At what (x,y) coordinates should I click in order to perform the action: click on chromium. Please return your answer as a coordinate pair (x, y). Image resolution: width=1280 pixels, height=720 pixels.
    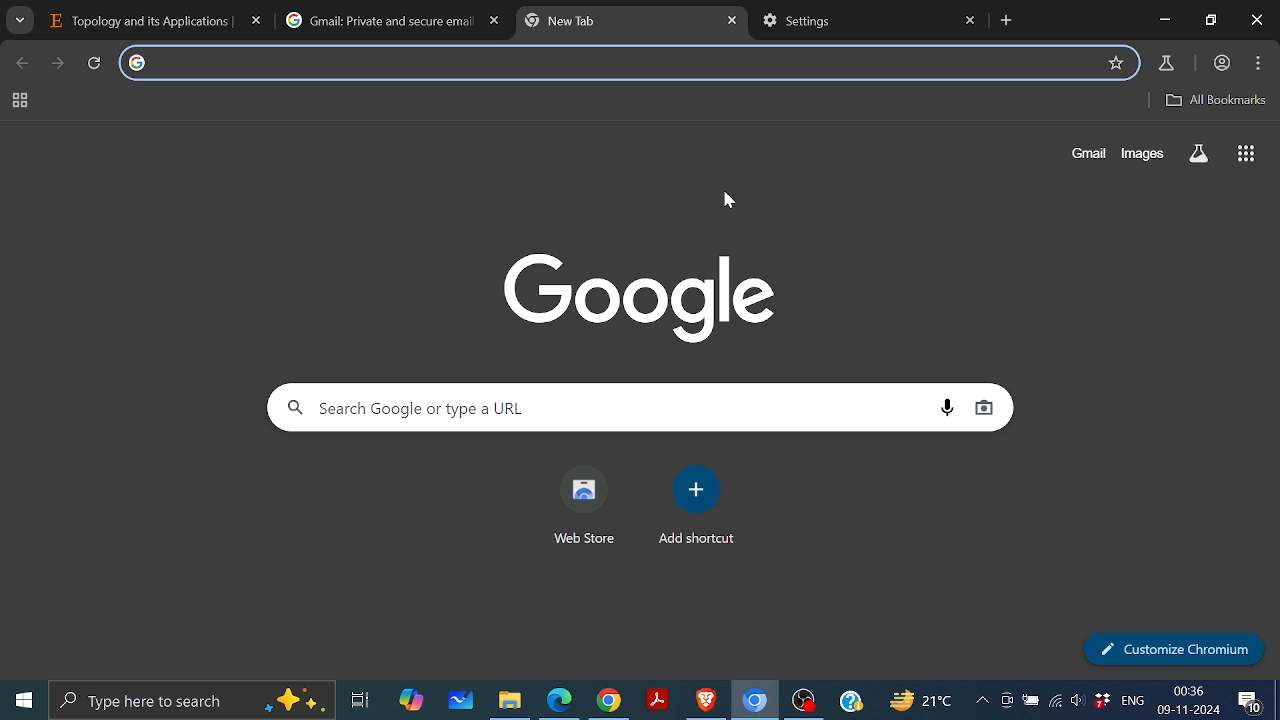
    Looking at the image, I should click on (755, 701).